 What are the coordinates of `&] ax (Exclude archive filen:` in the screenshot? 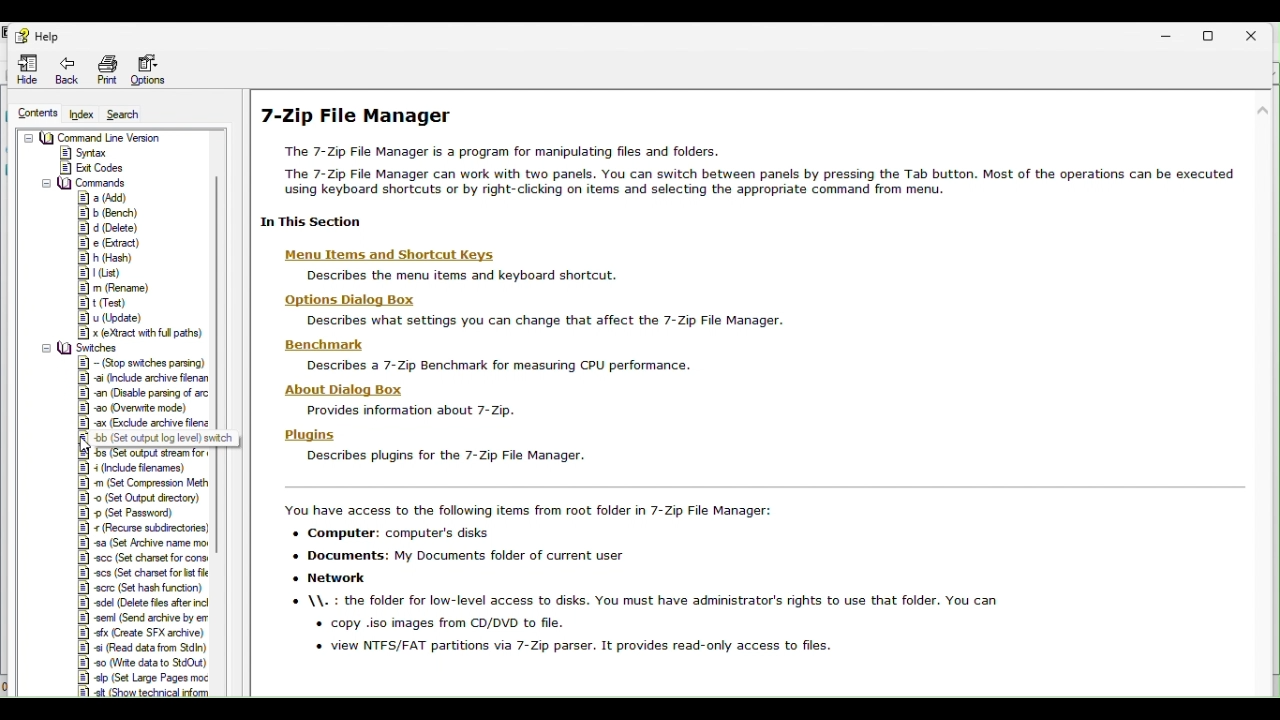 It's located at (146, 424).